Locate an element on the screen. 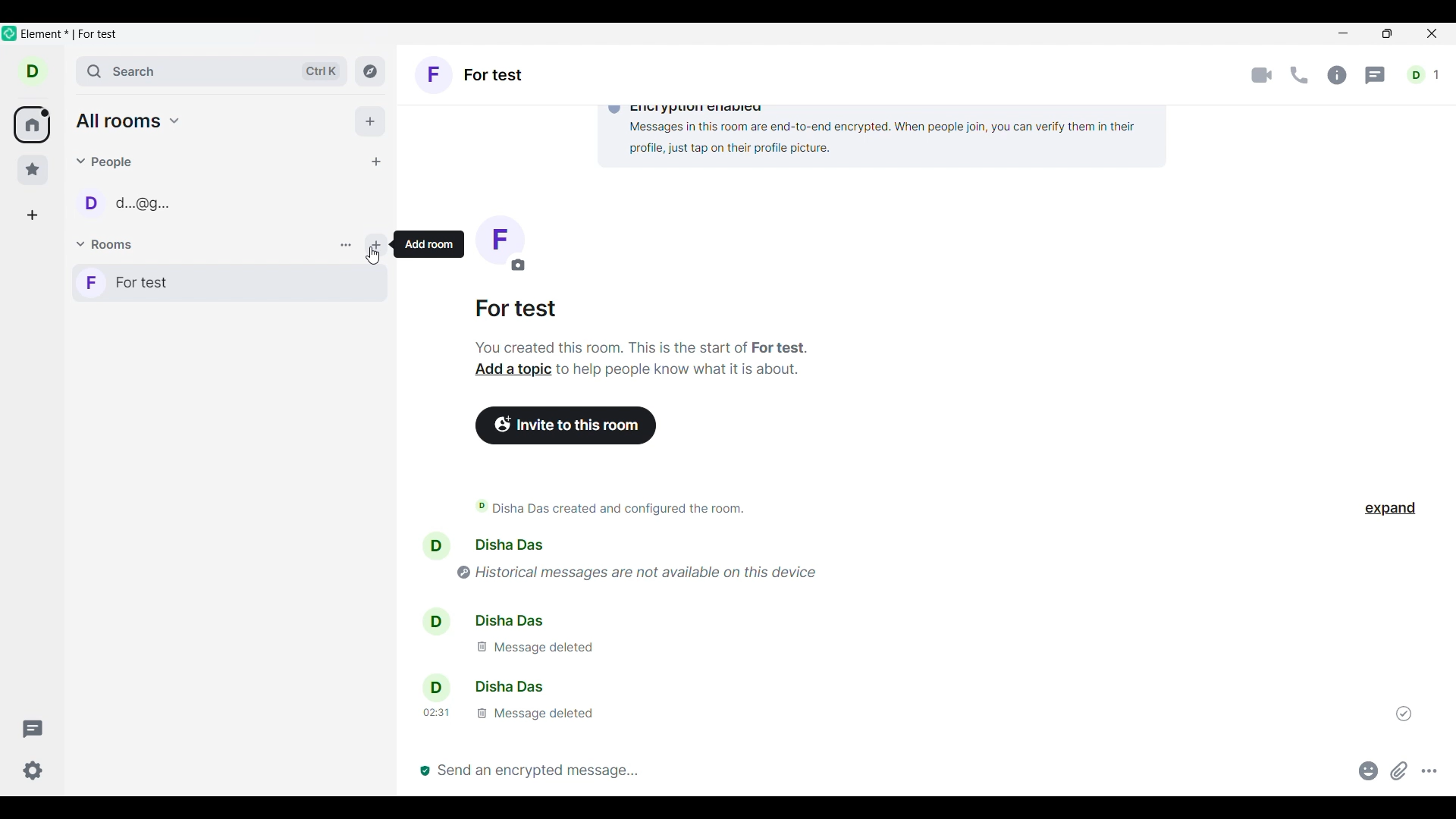  selection cursor is located at coordinates (375, 259).